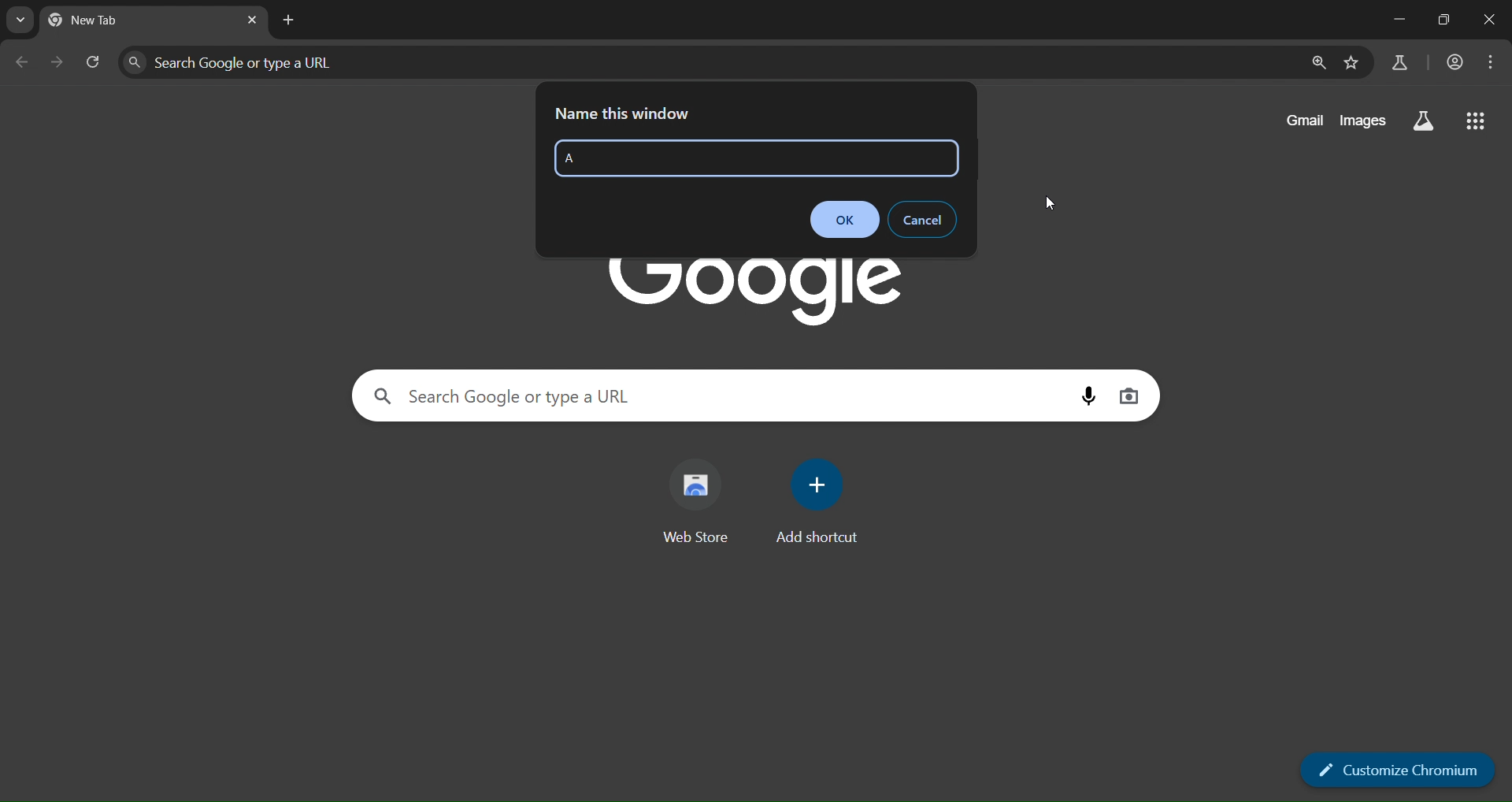 This screenshot has width=1512, height=802. What do you see at coordinates (500, 395) in the screenshot?
I see `Search Google or type a URL` at bounding box center [500, 395].